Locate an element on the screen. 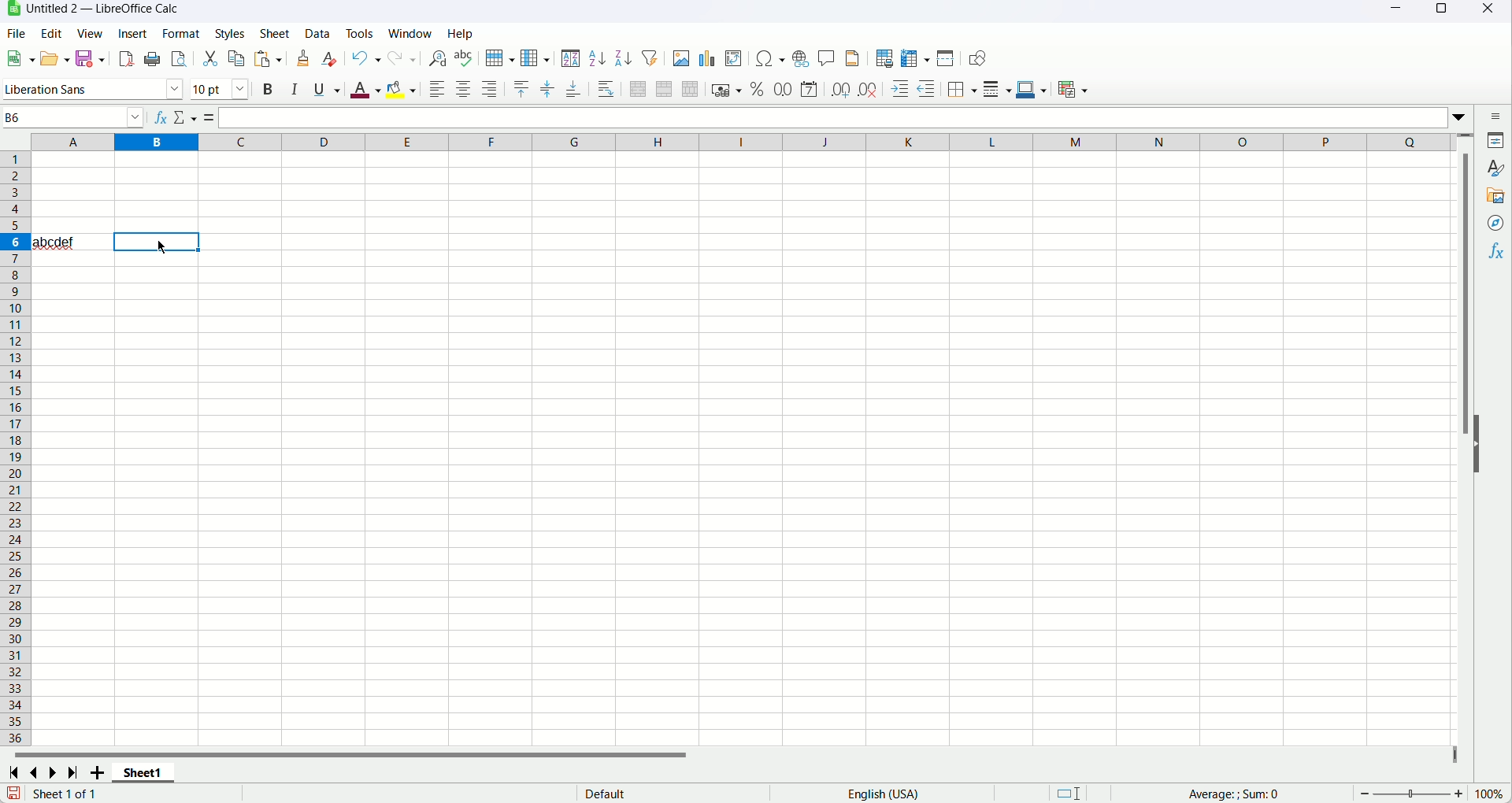 The height and width of the screenshot is (803, 1512). scroll to first sheet is located at coordinates (17, 771).